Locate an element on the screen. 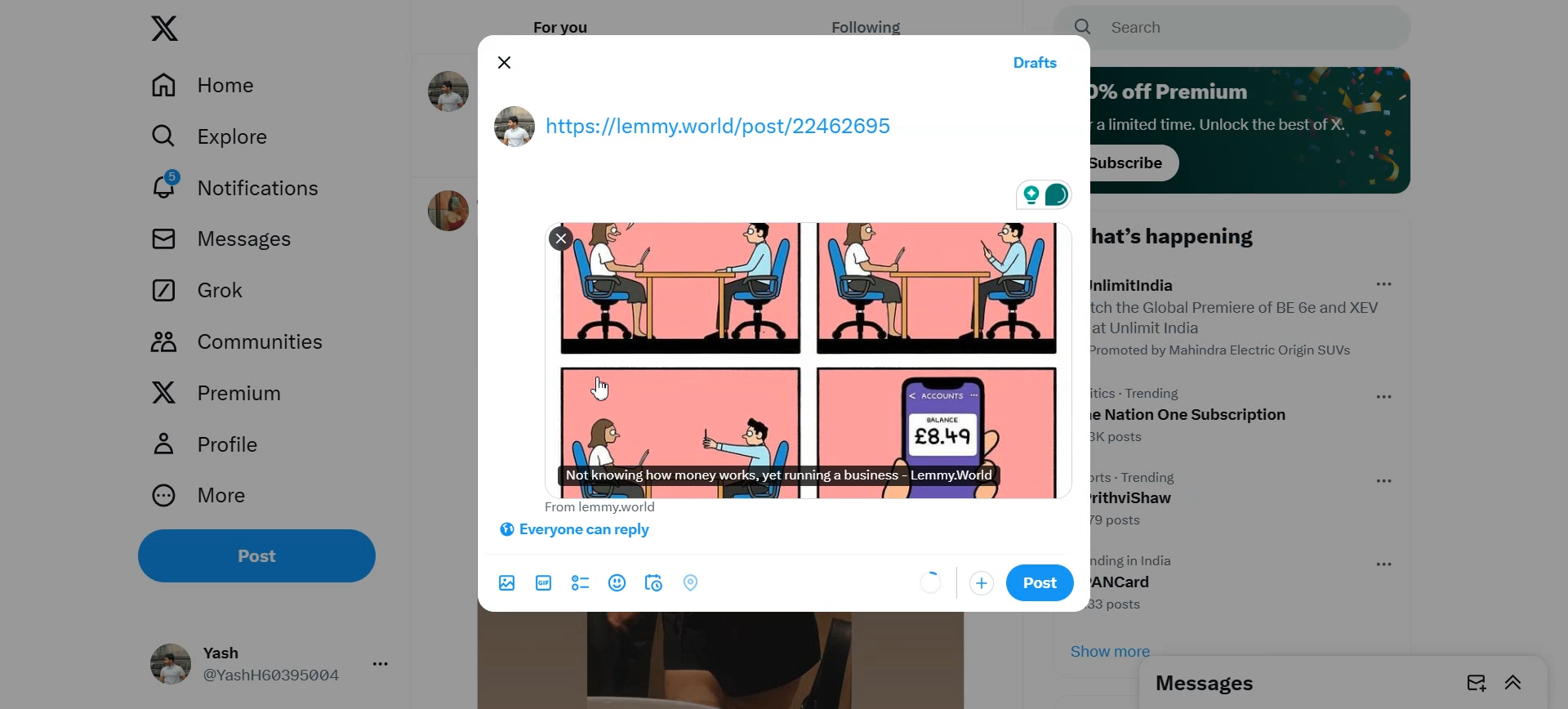  Everyone can reply is located at coordinates (576, 530).